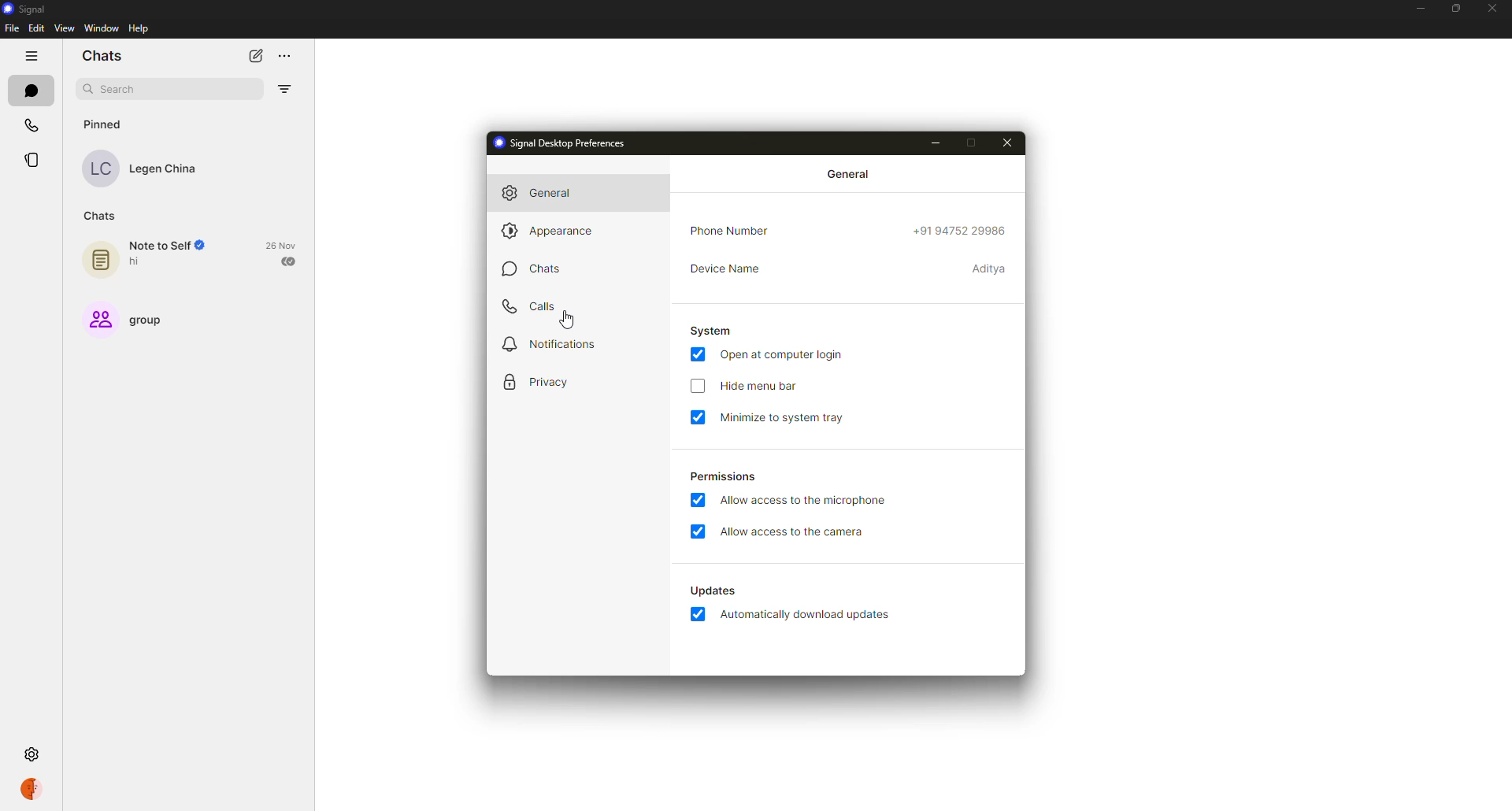 This screenshot has height=811, width=1512. Describe the element at coordinates (283, 244) in the screenshot. I see `date` at that location.